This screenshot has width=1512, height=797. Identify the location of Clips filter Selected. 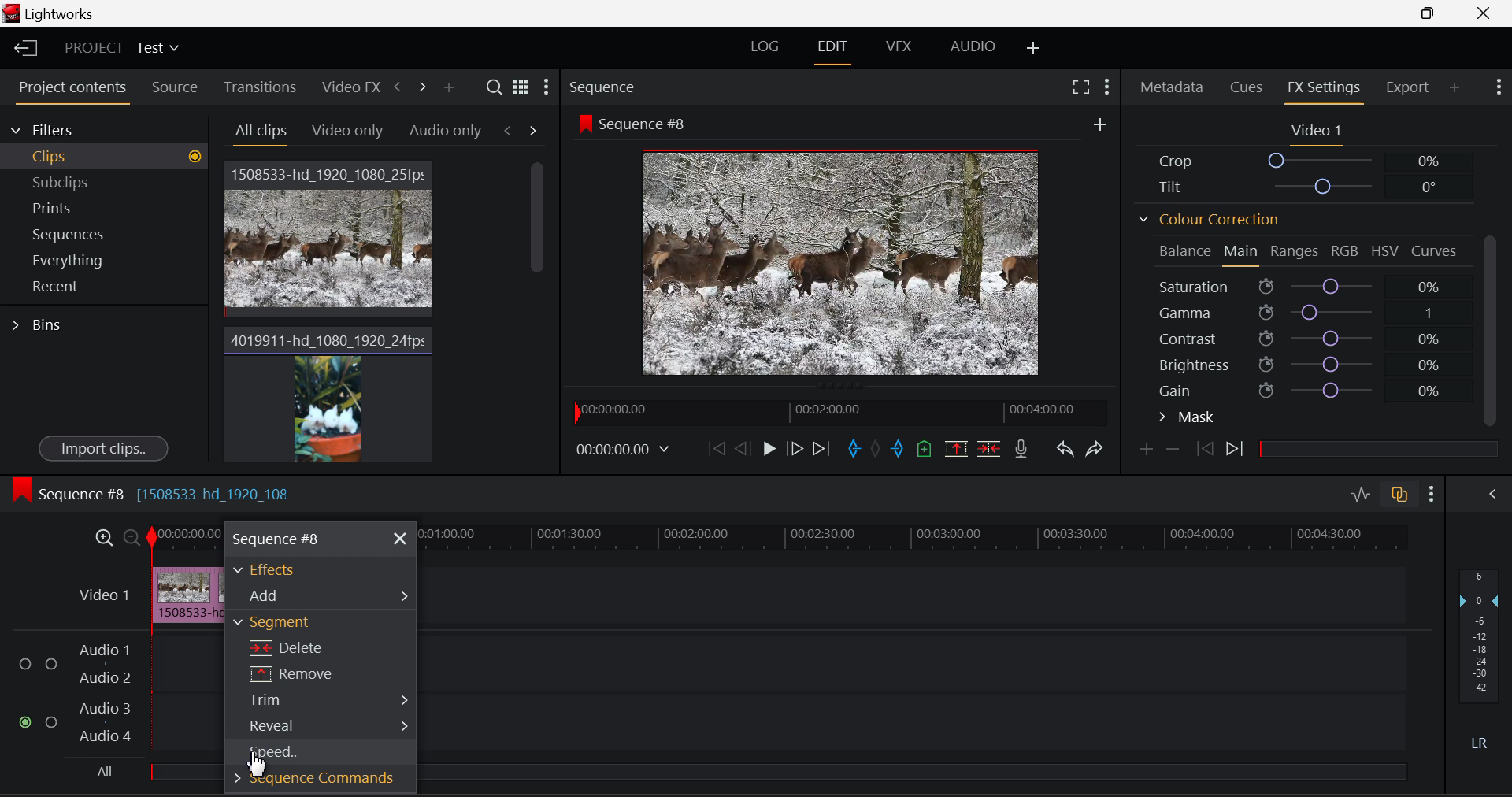
(115, 157).